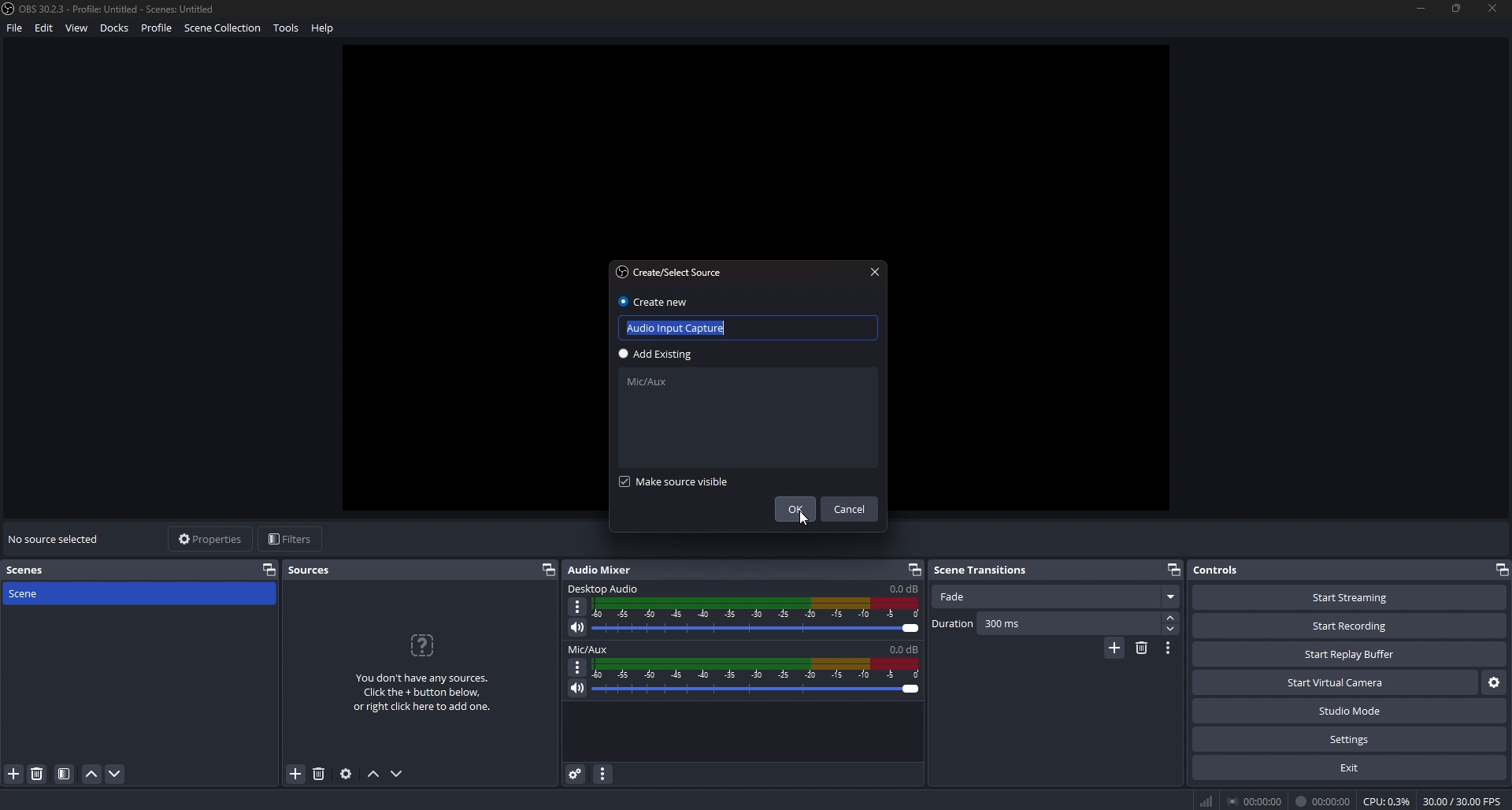 This screenshot has width=1512, height=810. I want to click on create new, so click(658, 303).